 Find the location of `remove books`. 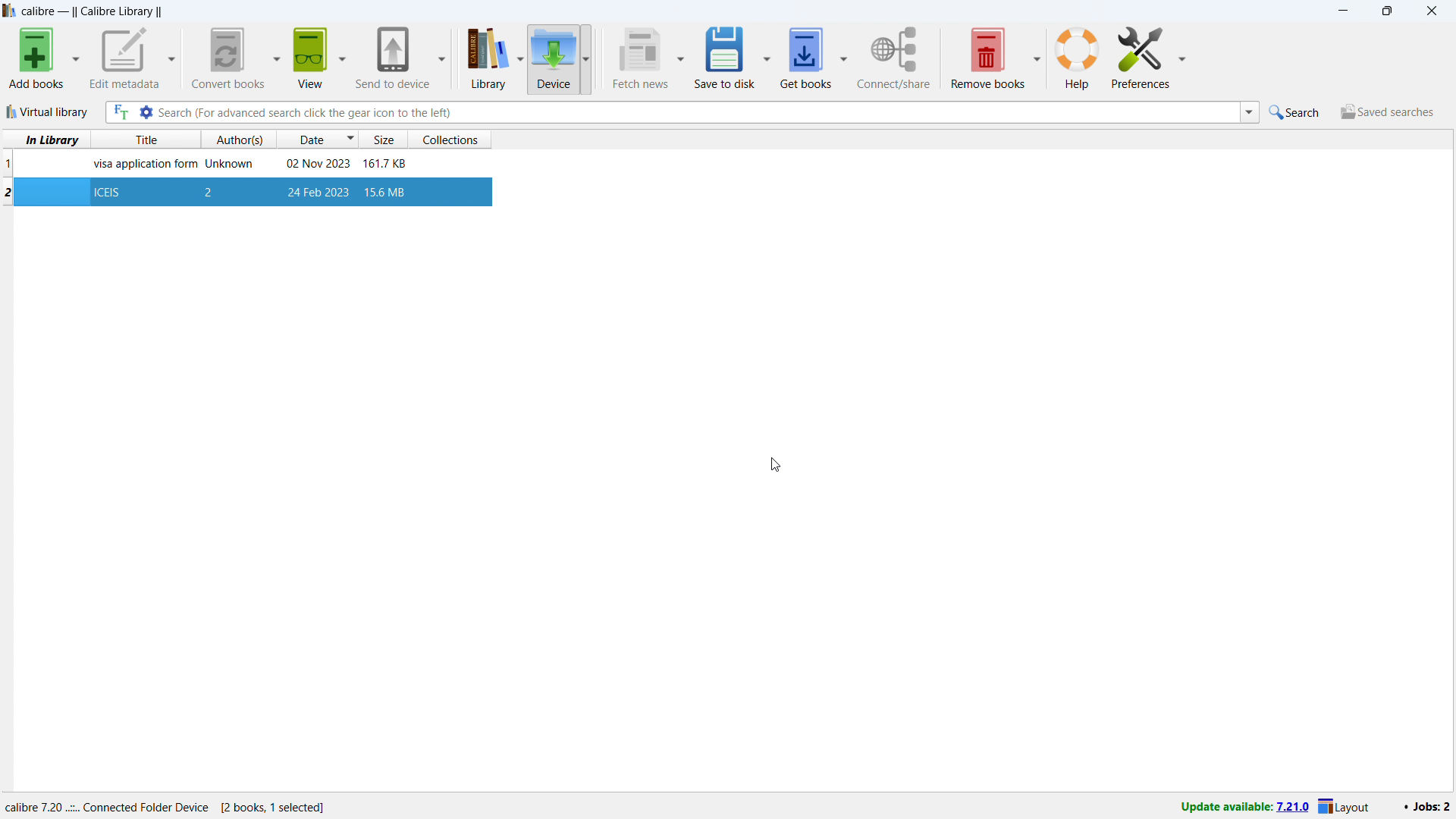

remove books is located at coordinates (987, 56).